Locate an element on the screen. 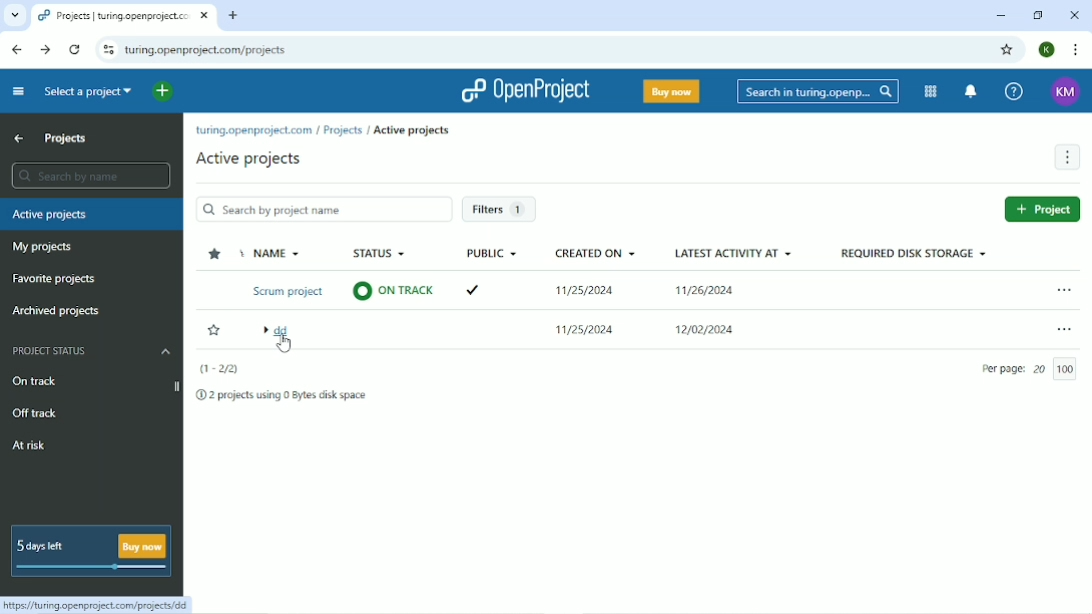 The height and width of the screenshot is (614, 1092). 11/25/2024 is located at coordinates (584, 330).